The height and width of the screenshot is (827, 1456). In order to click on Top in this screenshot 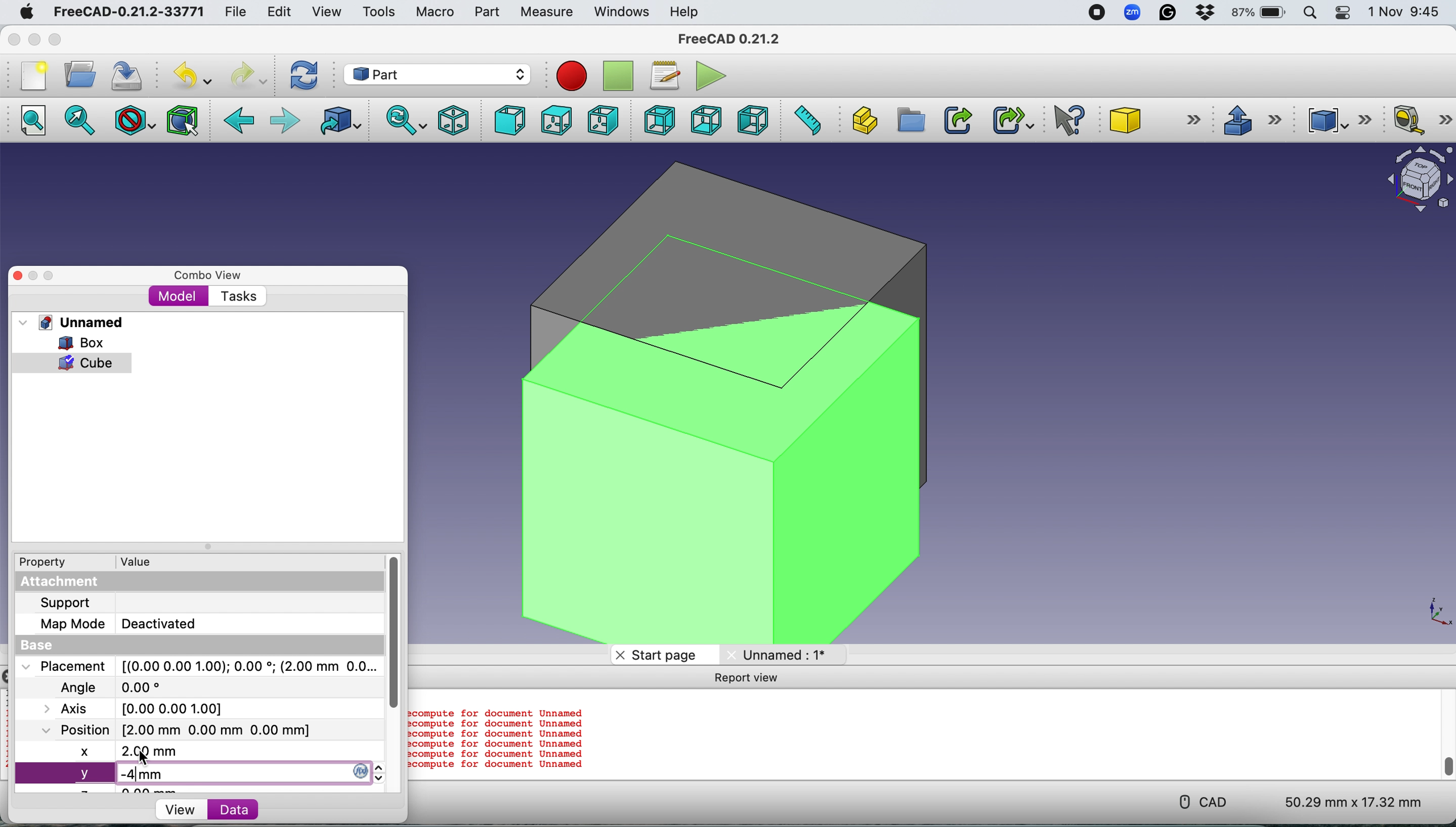, I will do `click(555, 121)`.